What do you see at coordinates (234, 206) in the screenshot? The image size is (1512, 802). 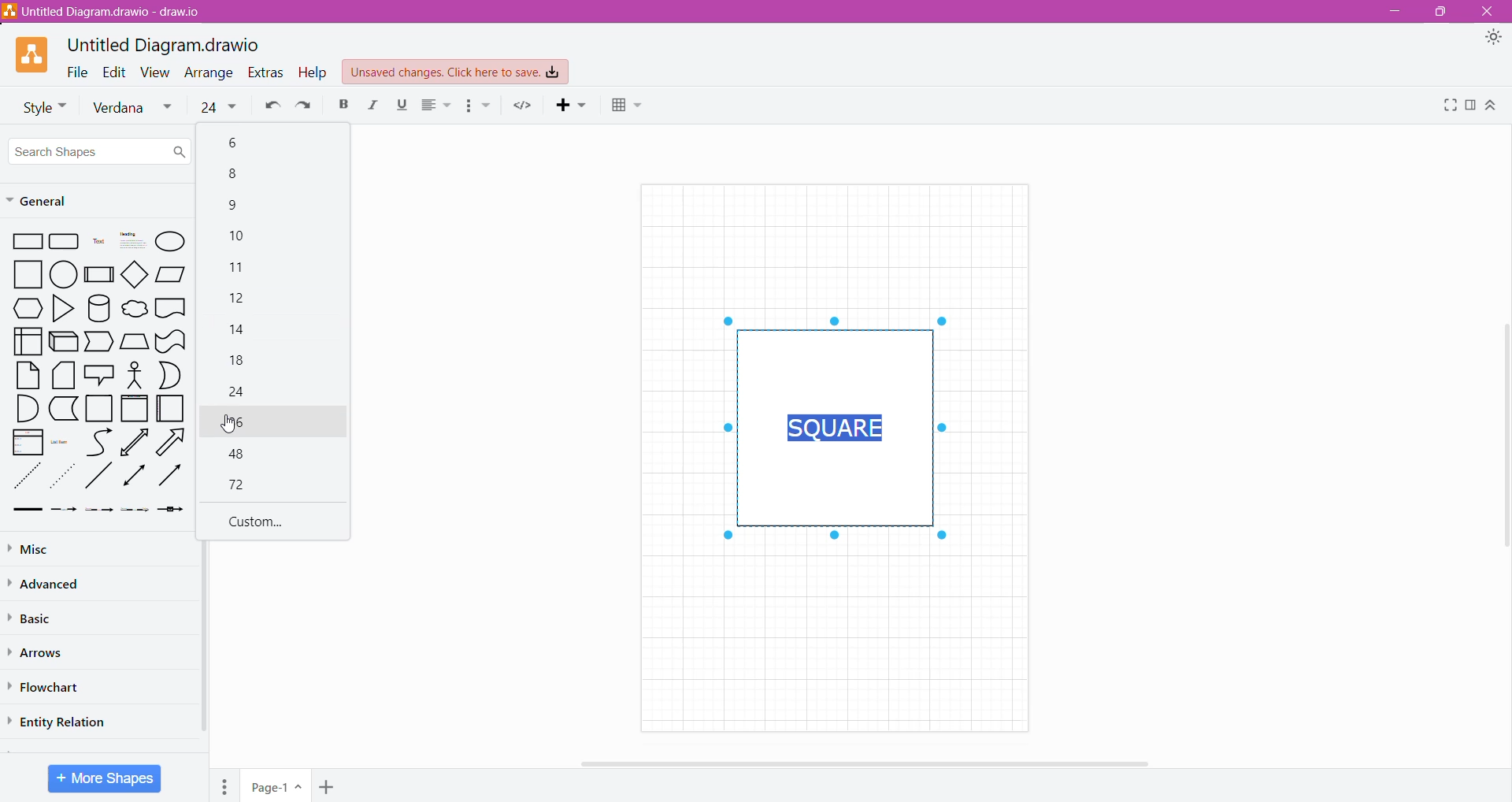 I see `9` at bounding box center [234, 206].